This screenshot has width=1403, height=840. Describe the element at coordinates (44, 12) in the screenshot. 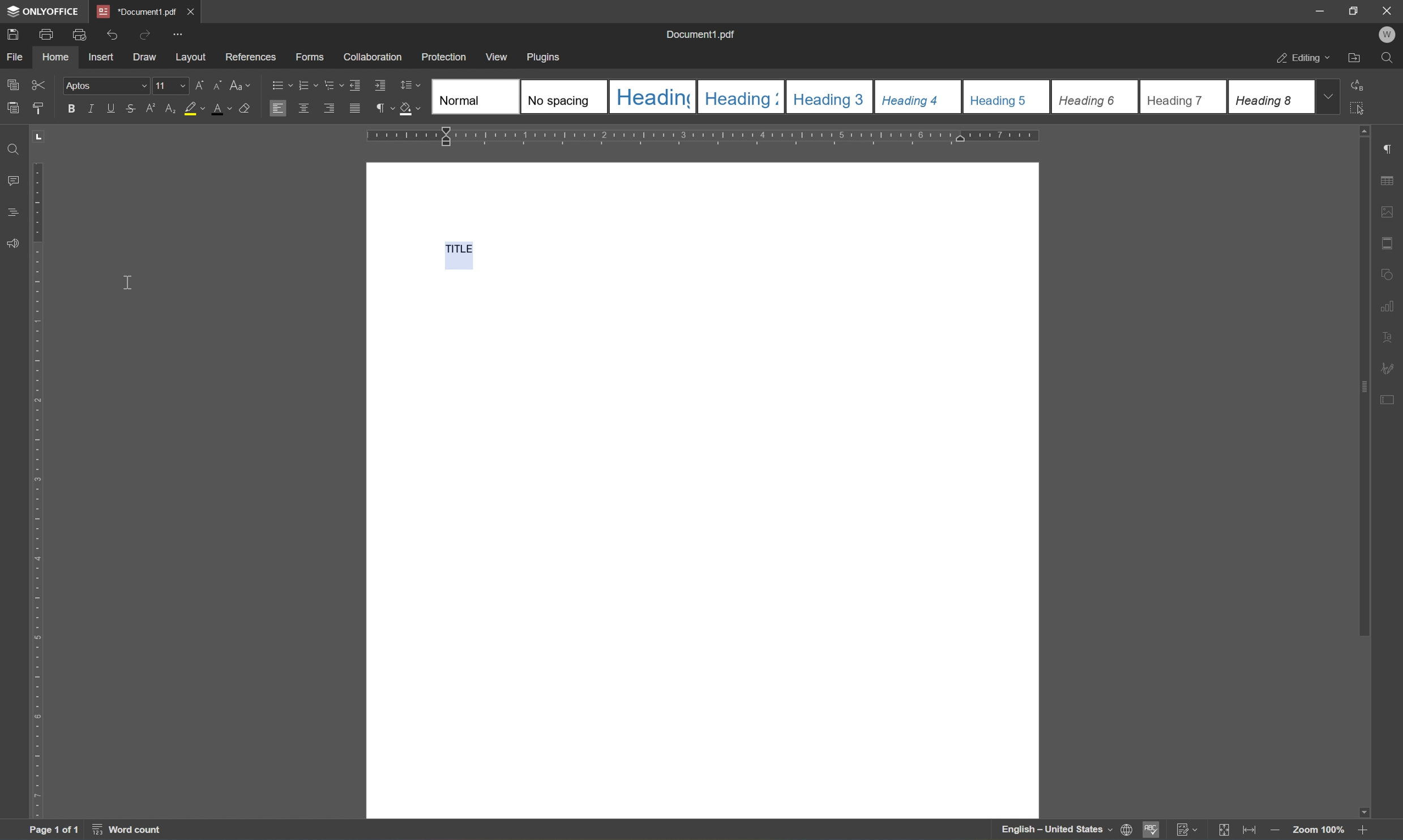

I see `onlyoffice` at that location.